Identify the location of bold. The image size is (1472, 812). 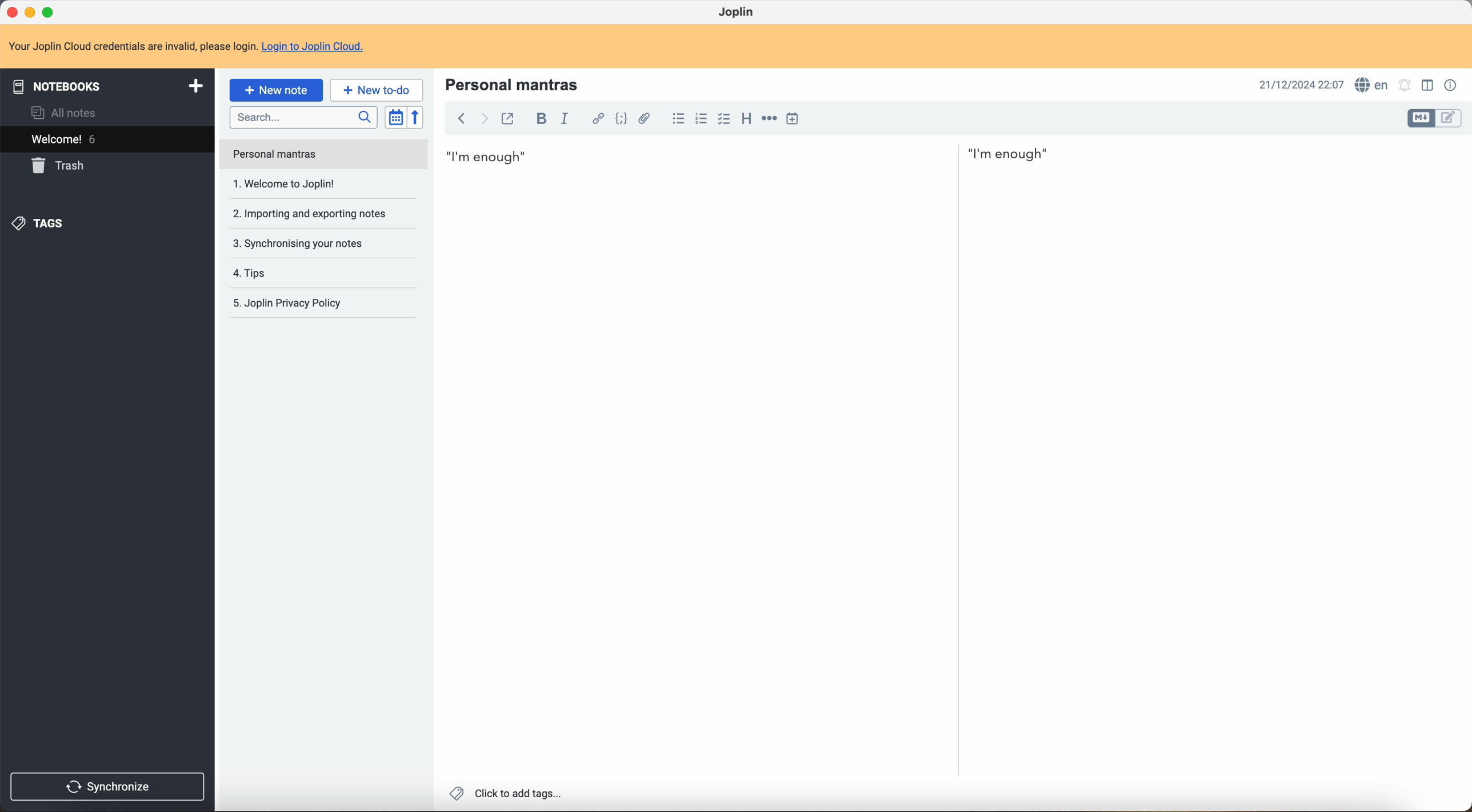
(543, 118).